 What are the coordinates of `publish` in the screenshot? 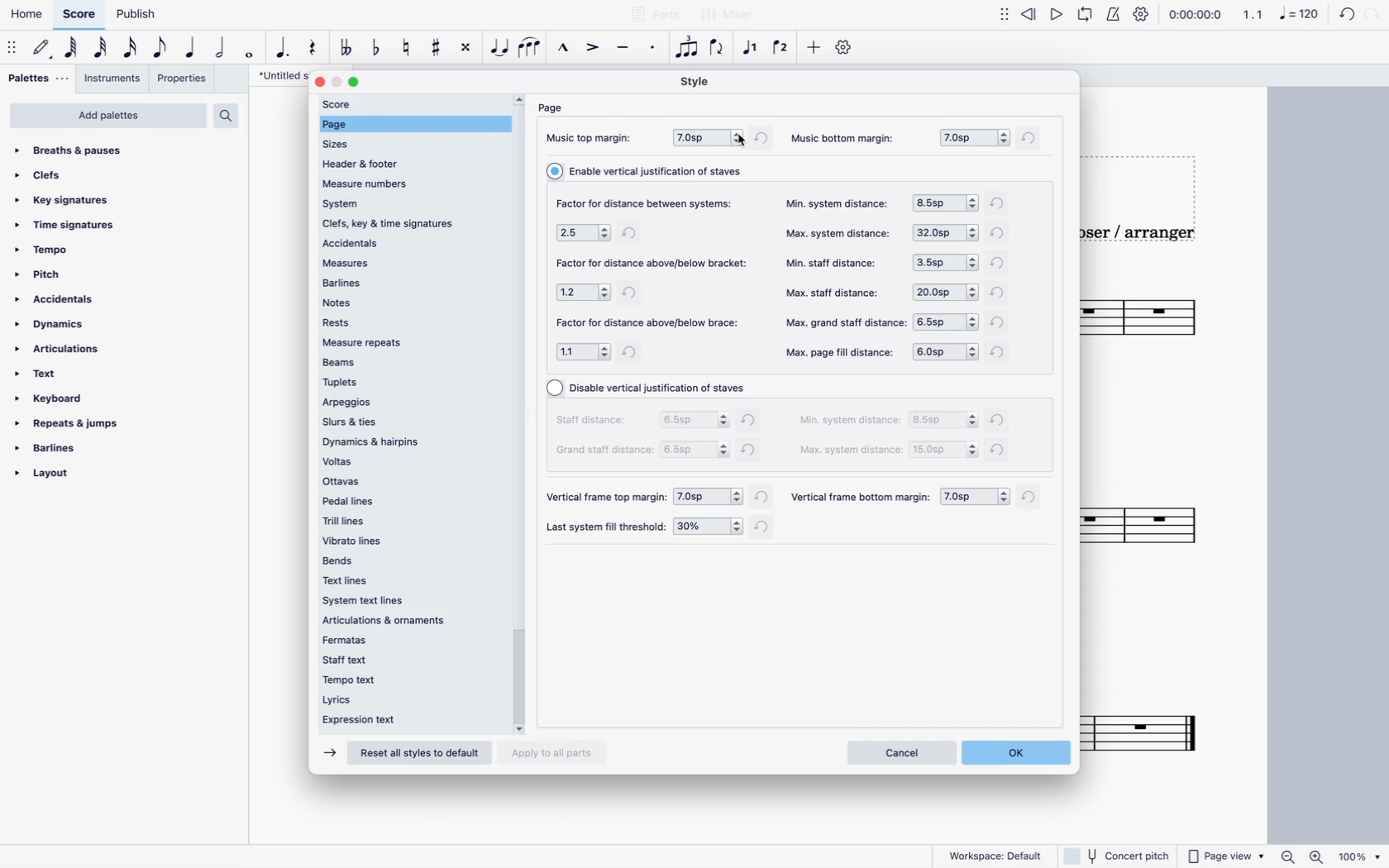 It's located at (141, 16).